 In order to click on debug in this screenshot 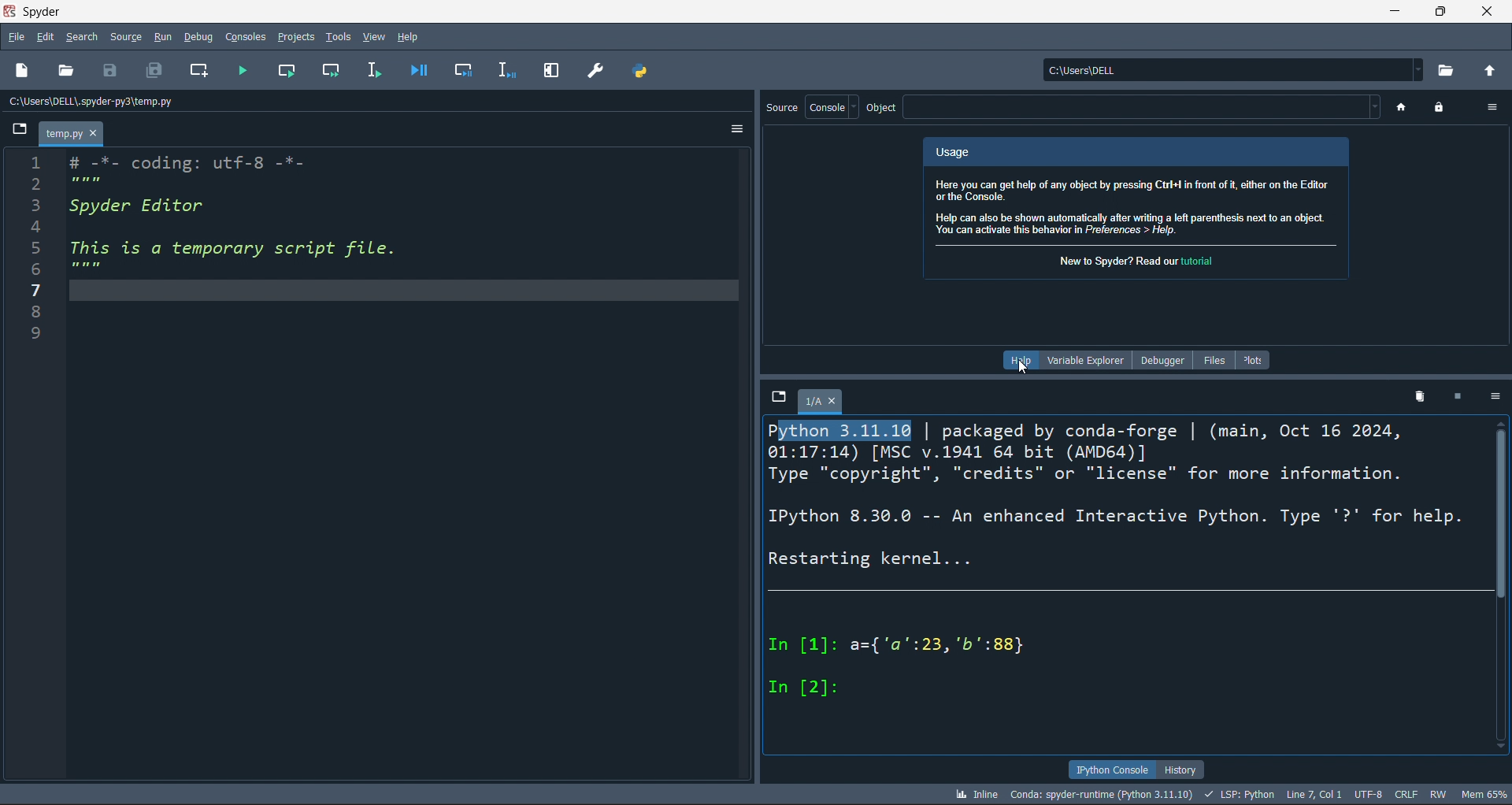, I will do `click(194, 37)`.